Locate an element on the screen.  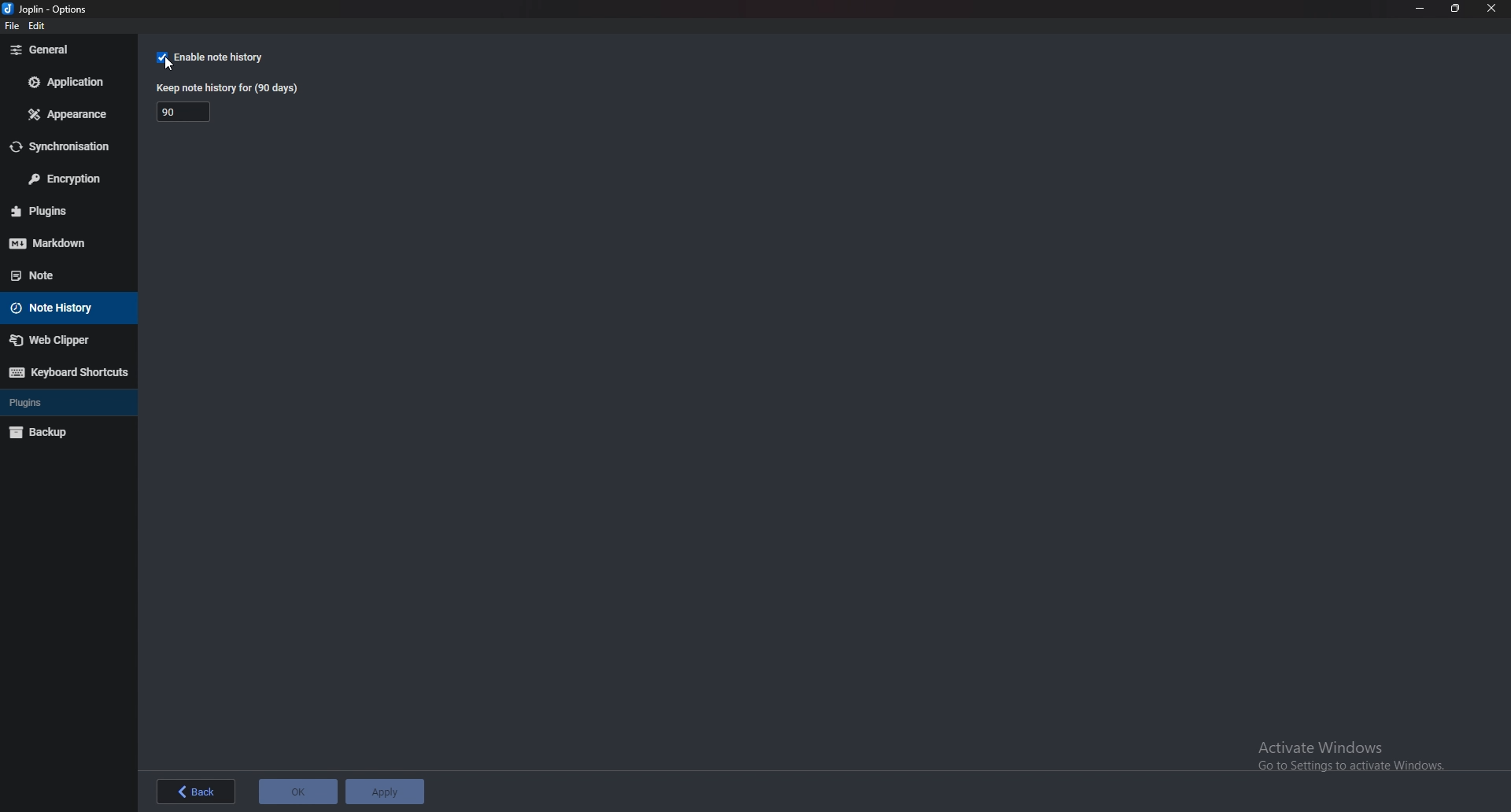
ok is located at coordinates (296, 792).